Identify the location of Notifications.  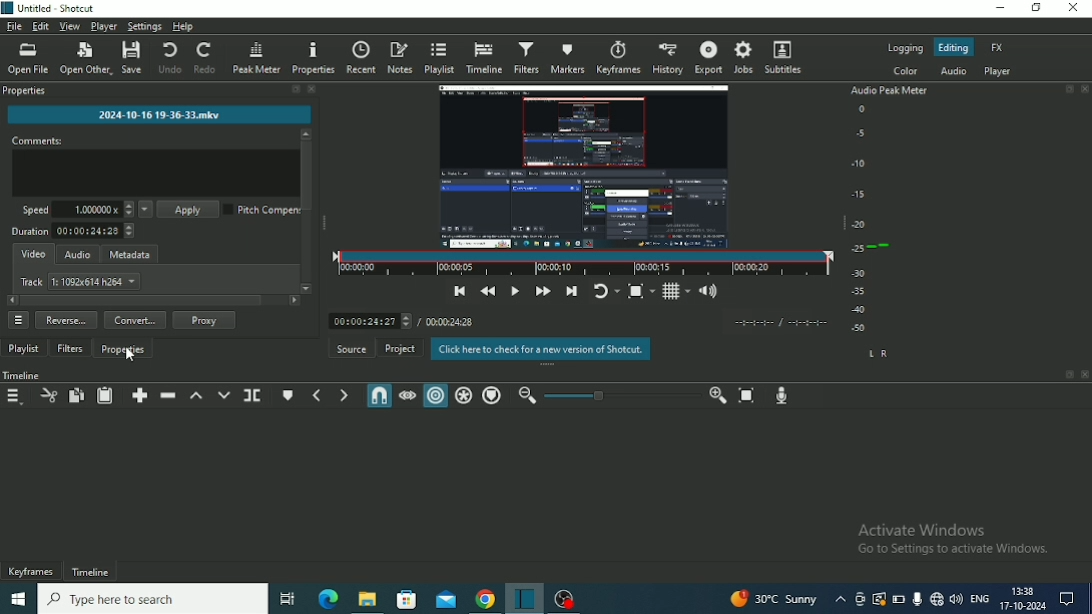
(1067, 599).